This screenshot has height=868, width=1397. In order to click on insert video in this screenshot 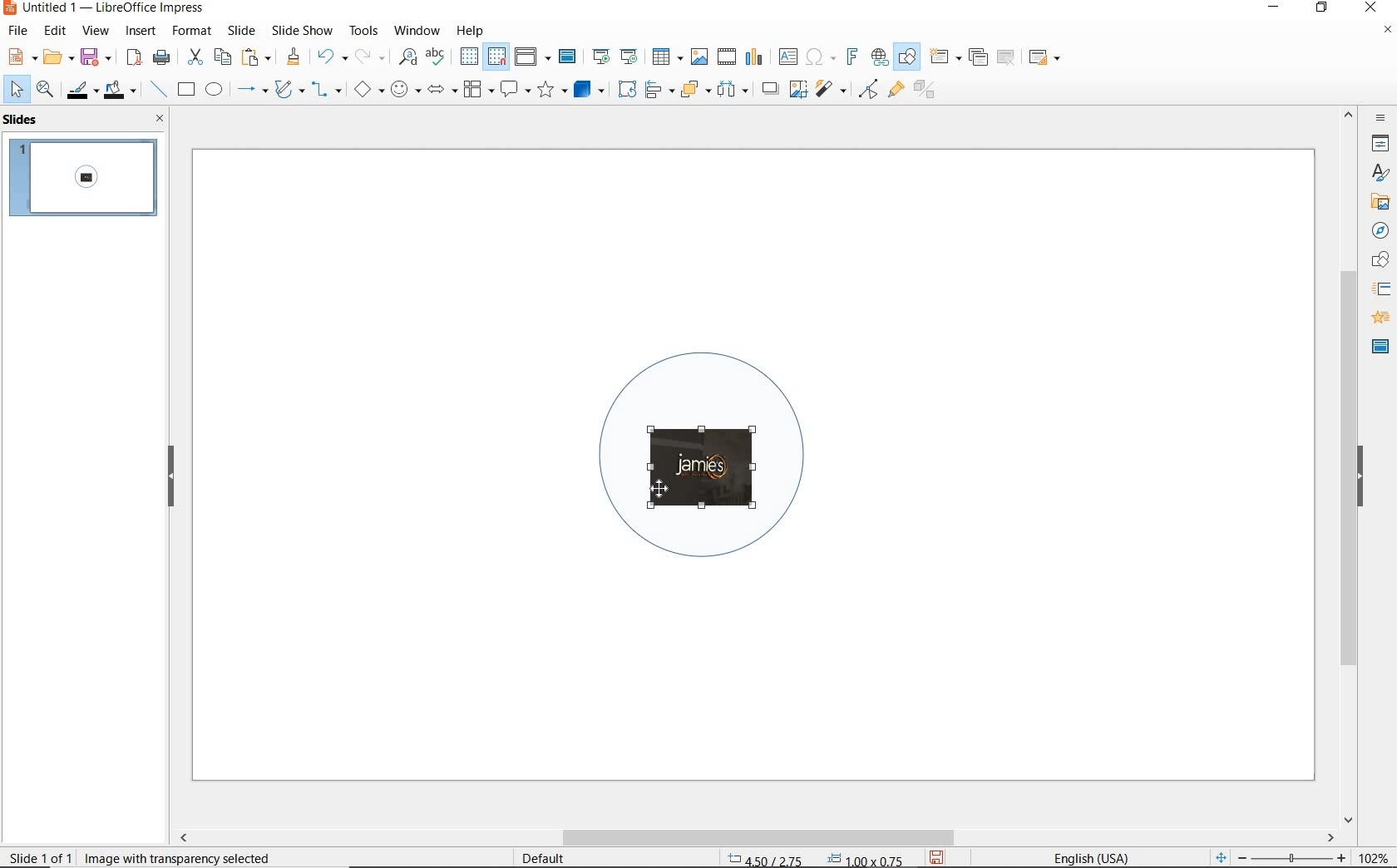, I will do `click(725, 56)`.